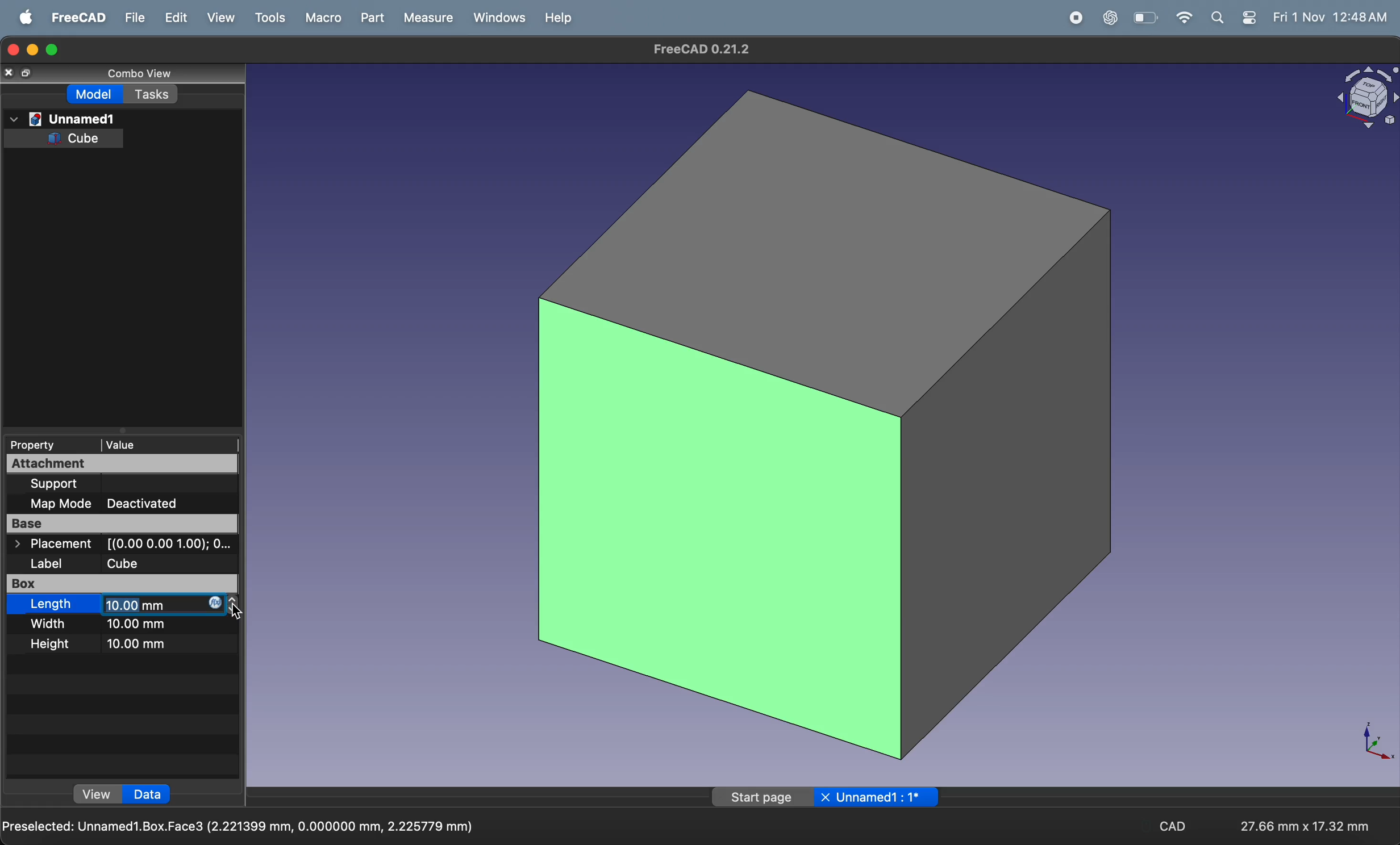 The height and width of the screenshot is (845, 1400). Describe the element at coordinates (1106, 17) in the screenshot. I see `chatgpt` at that location.